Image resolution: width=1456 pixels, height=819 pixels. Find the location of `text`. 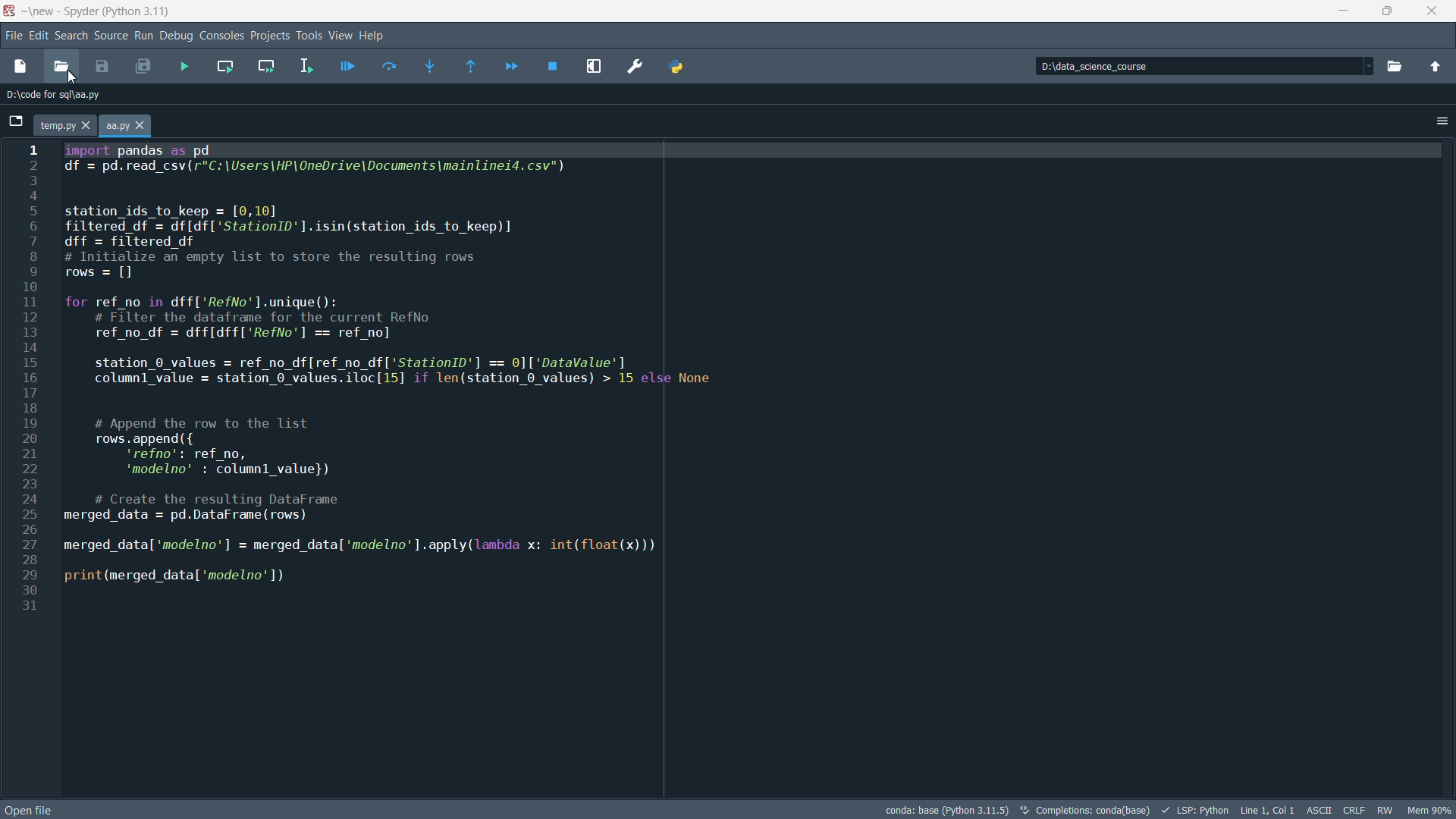

text is located at coordinates (1085, 810).